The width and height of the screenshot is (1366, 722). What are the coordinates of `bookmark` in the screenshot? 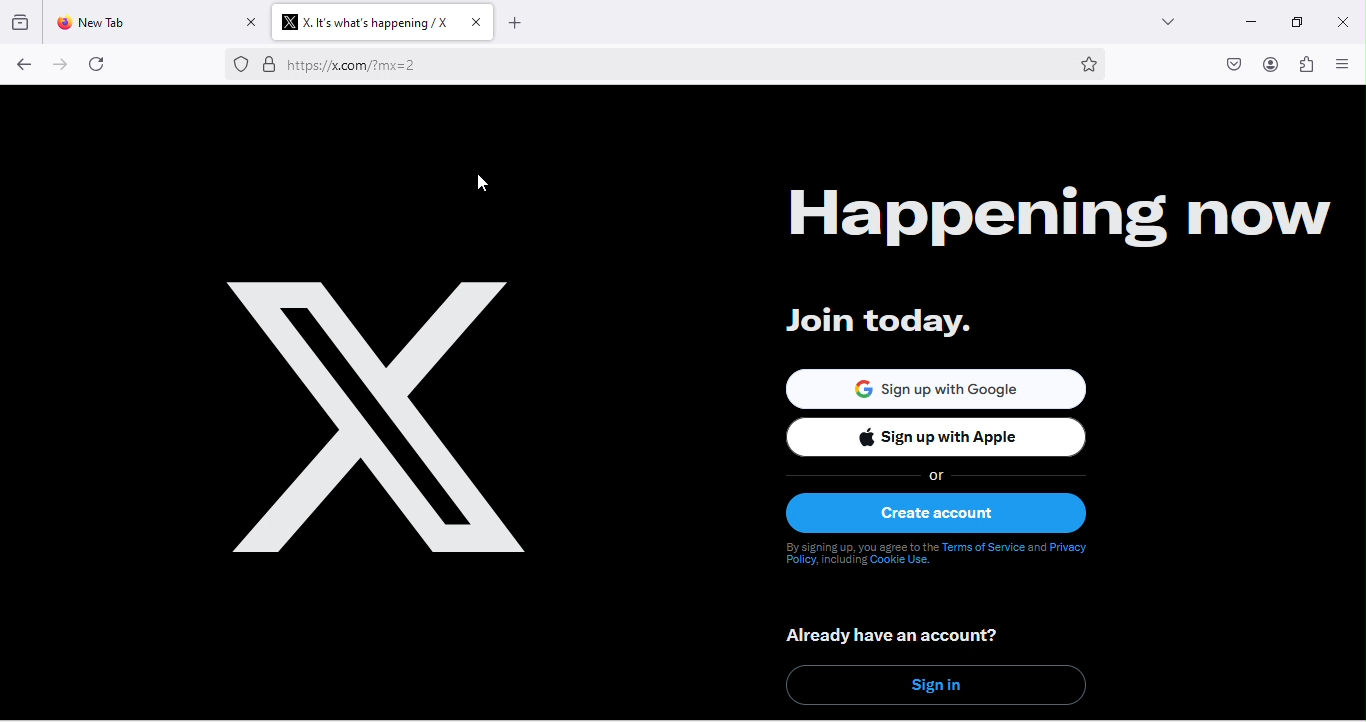 It's located at (1079, 65).